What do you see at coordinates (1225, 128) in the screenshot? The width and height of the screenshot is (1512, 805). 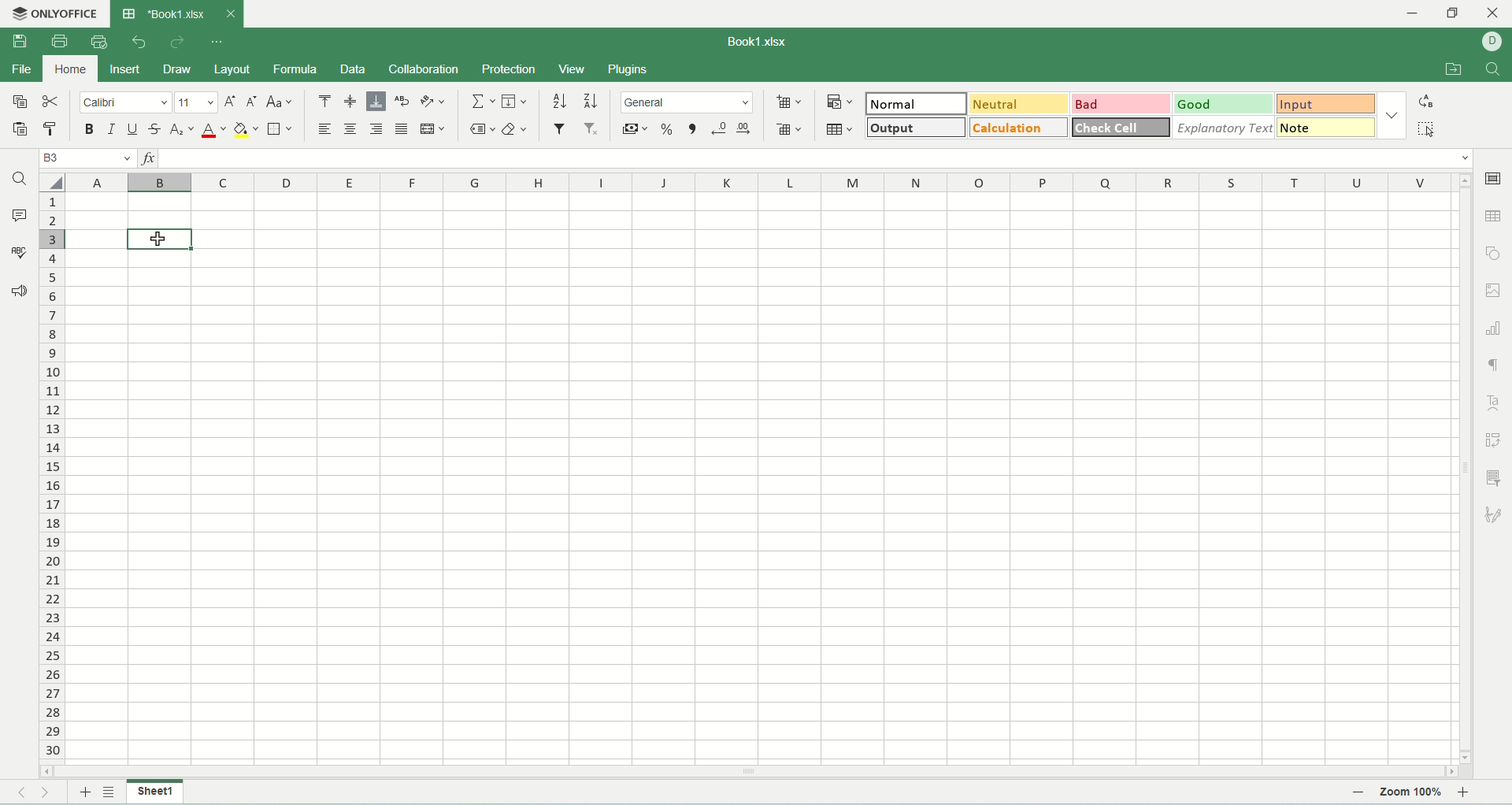 I see `explanotry text` at bounding box center [1225, 128].